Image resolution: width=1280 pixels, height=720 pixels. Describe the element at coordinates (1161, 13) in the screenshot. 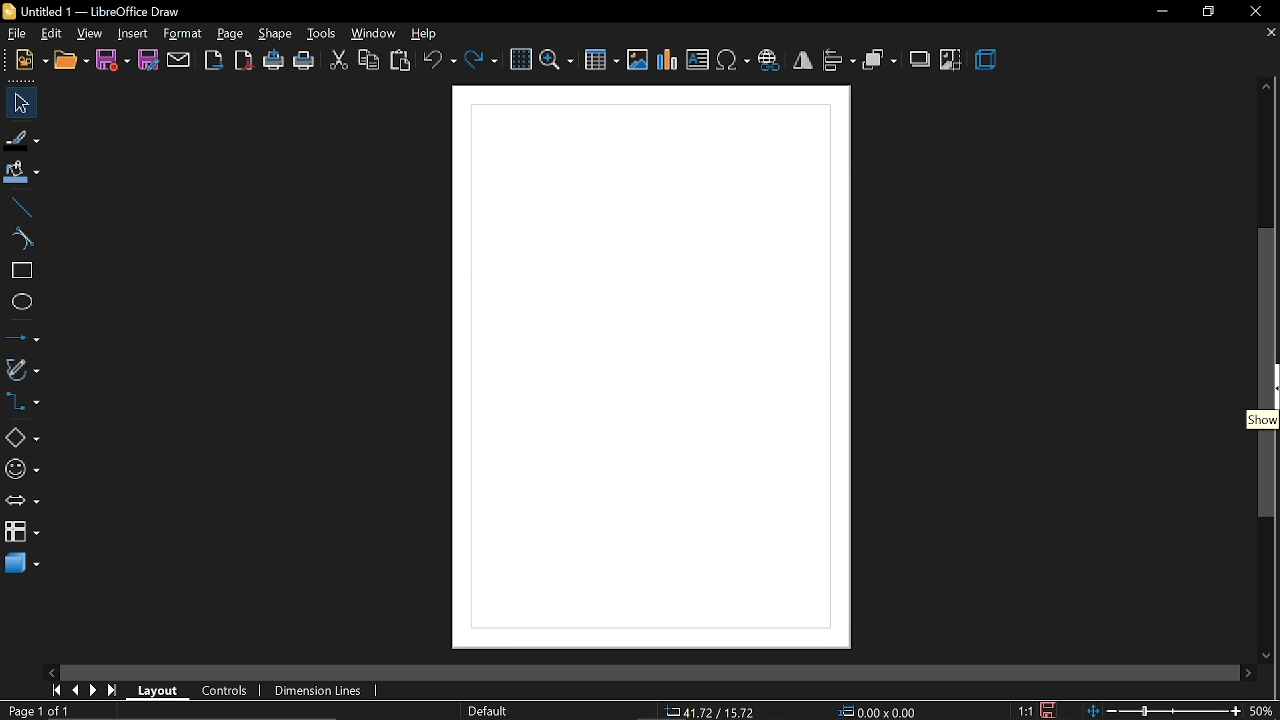

I see `minimize` at that location.